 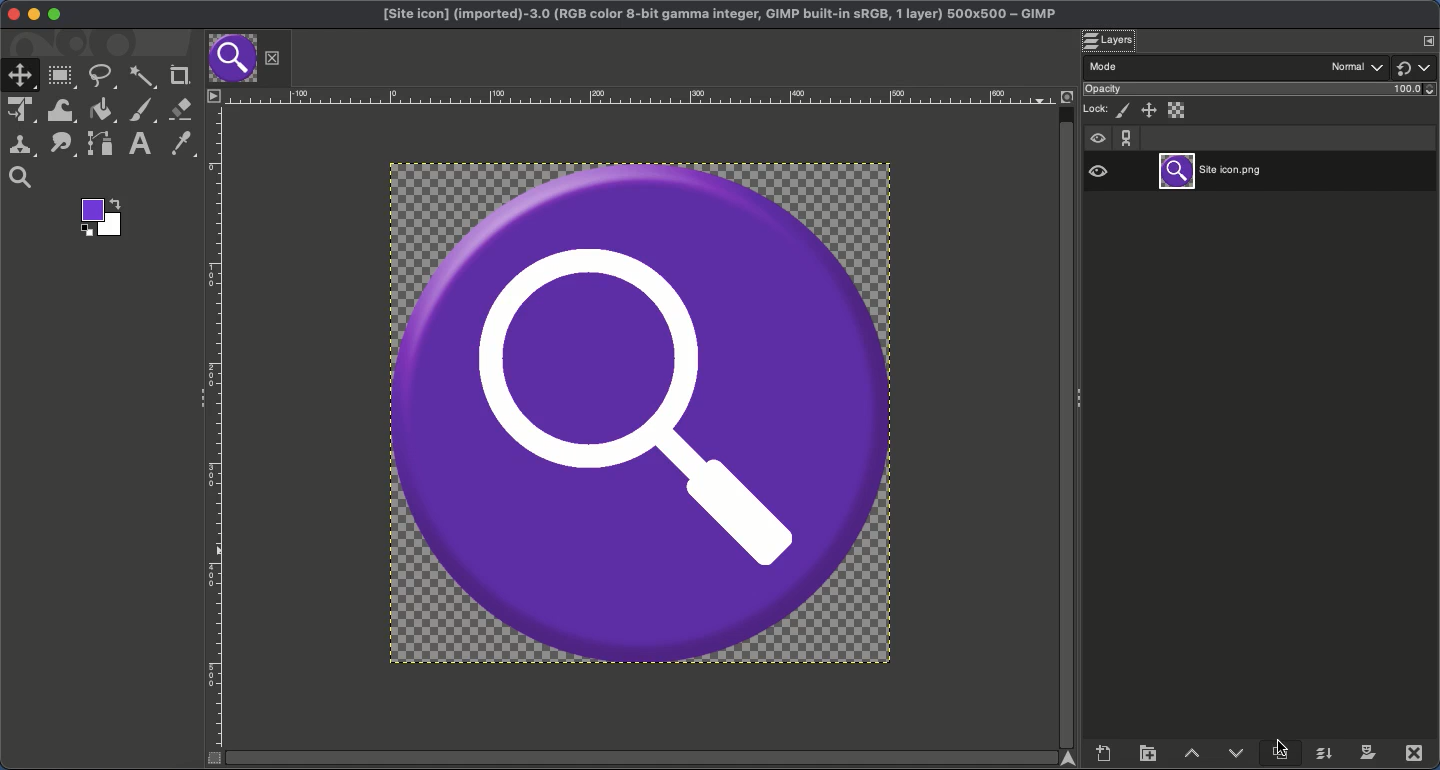 What do you see at coordinates (1191, 751) in the screenshot?
I see `Raise layer` at bounding box center [1191, 751].